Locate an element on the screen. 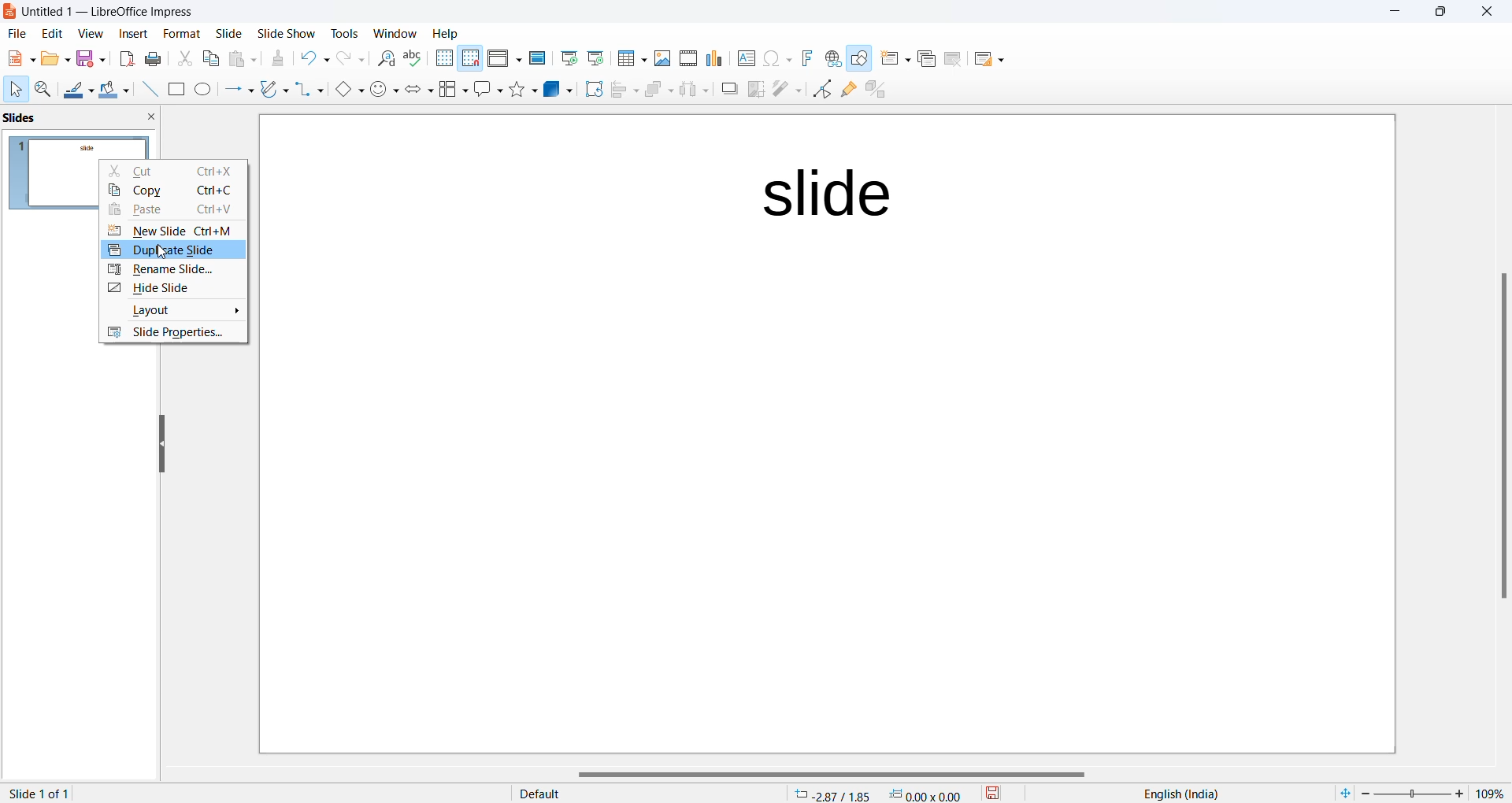  Display grid is located at coordinates (443, 58).